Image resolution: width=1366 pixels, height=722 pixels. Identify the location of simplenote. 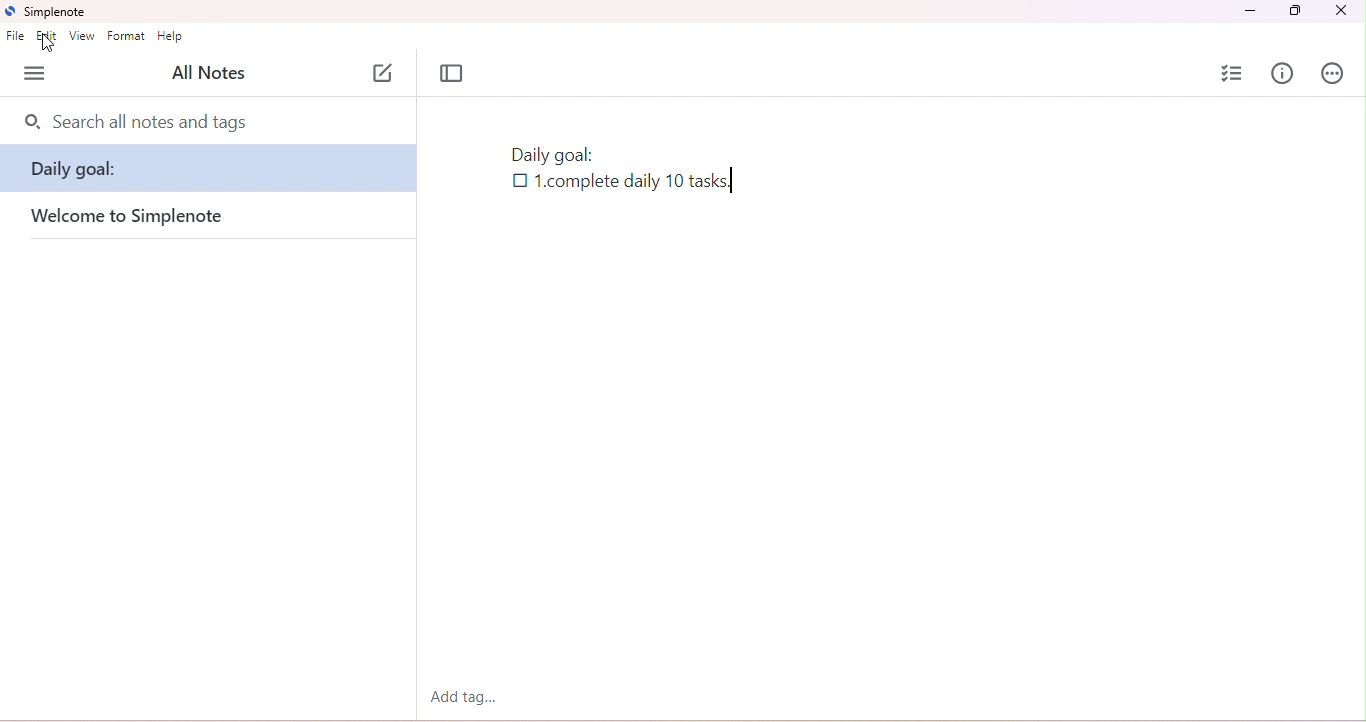
(55, 13).